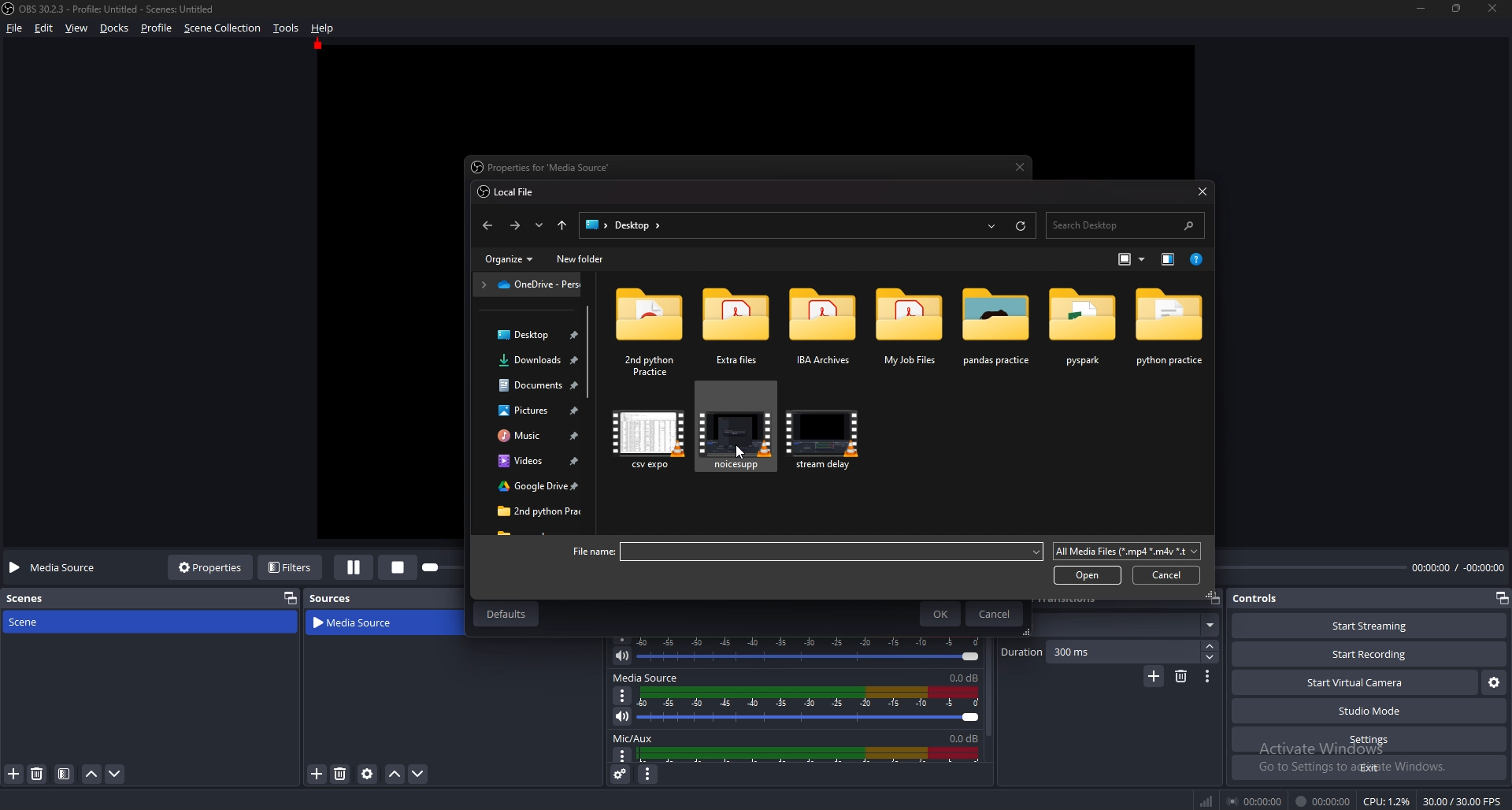  I want to click on Add configurable transitions, so click(1154, 677).